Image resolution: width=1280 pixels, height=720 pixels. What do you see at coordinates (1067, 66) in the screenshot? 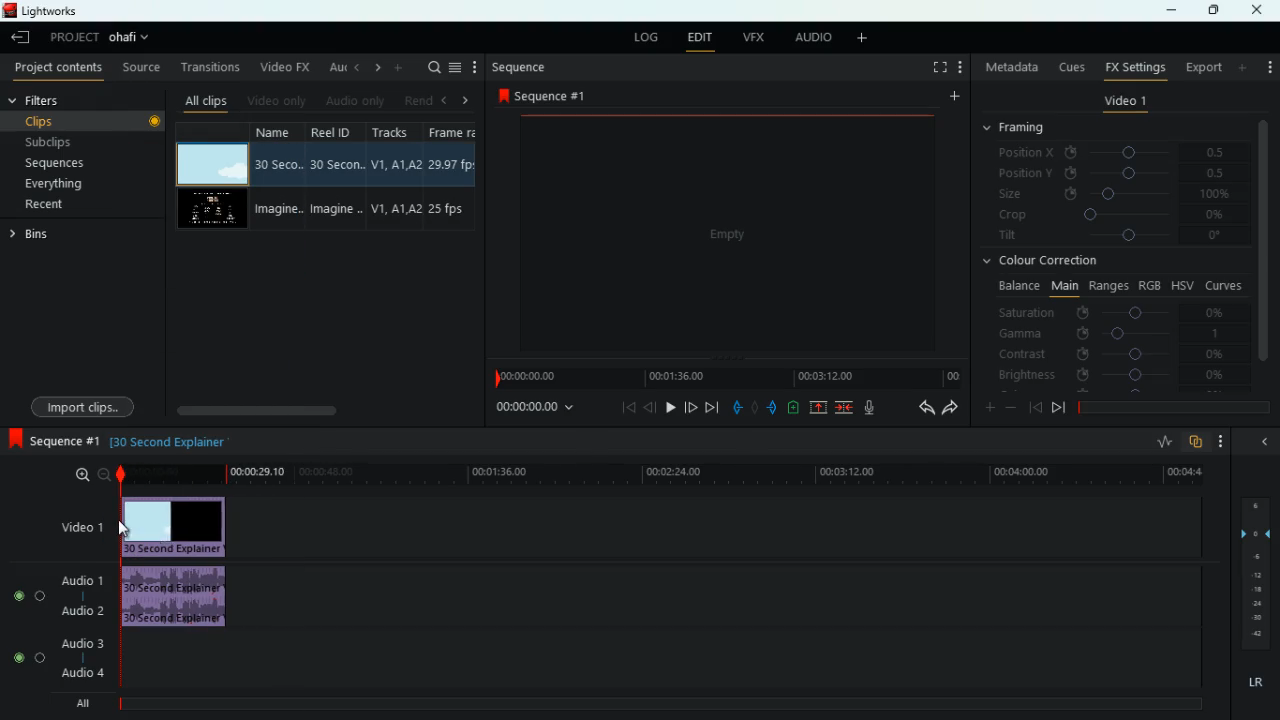
I see `cues` at bounding box center [1067, 66].